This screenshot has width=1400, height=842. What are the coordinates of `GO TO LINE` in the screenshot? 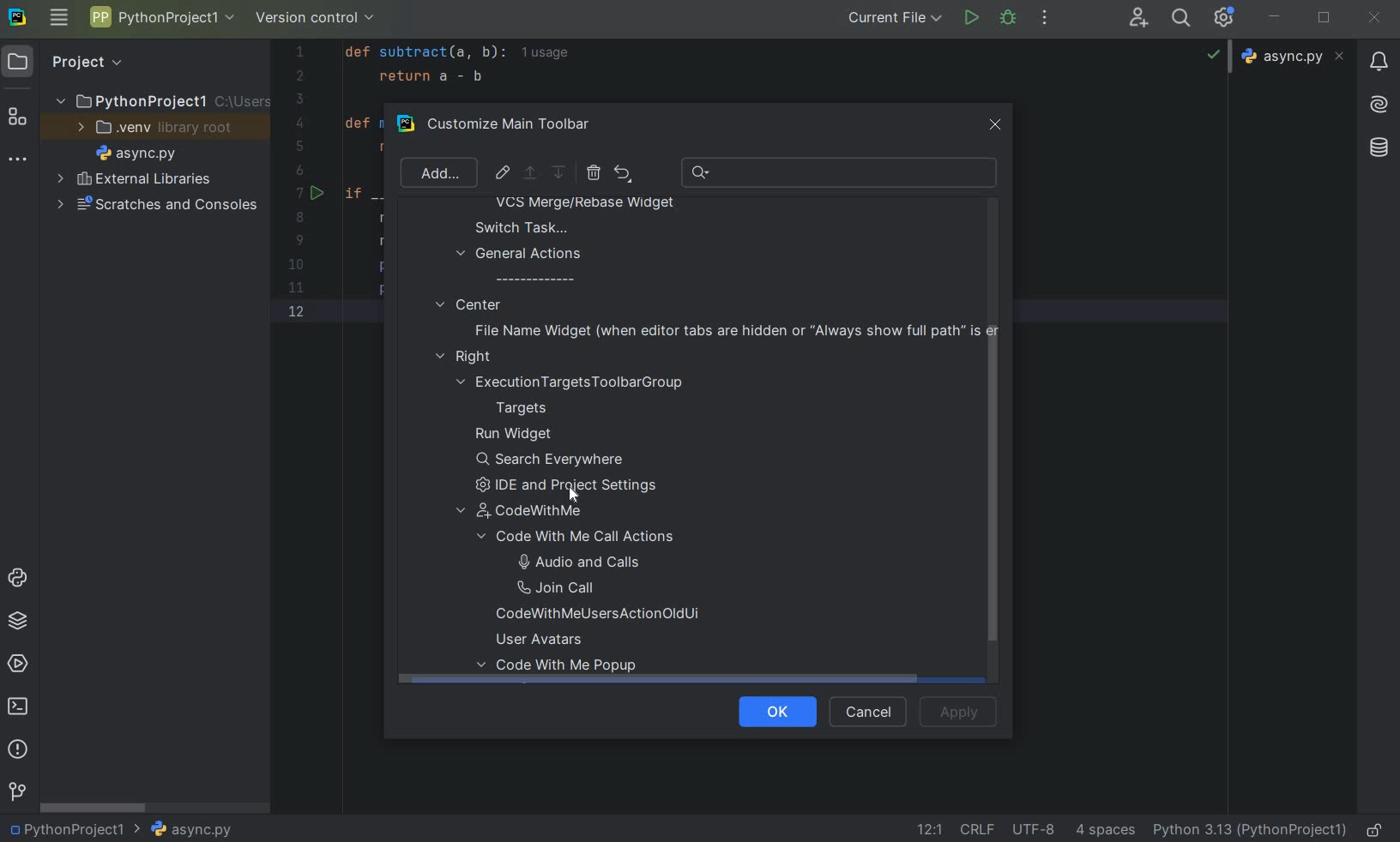 It's located at (927, 829).